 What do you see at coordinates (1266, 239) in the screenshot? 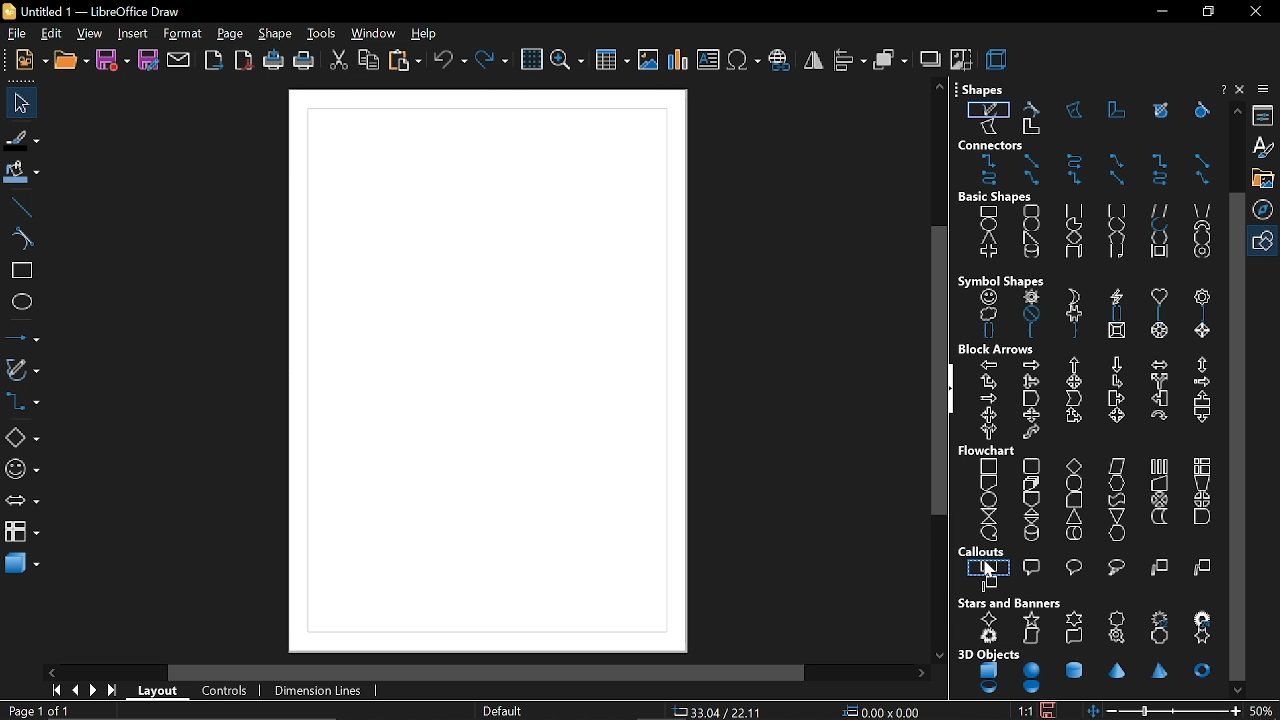
I see `shapes` at bounding box center [1266, 239].